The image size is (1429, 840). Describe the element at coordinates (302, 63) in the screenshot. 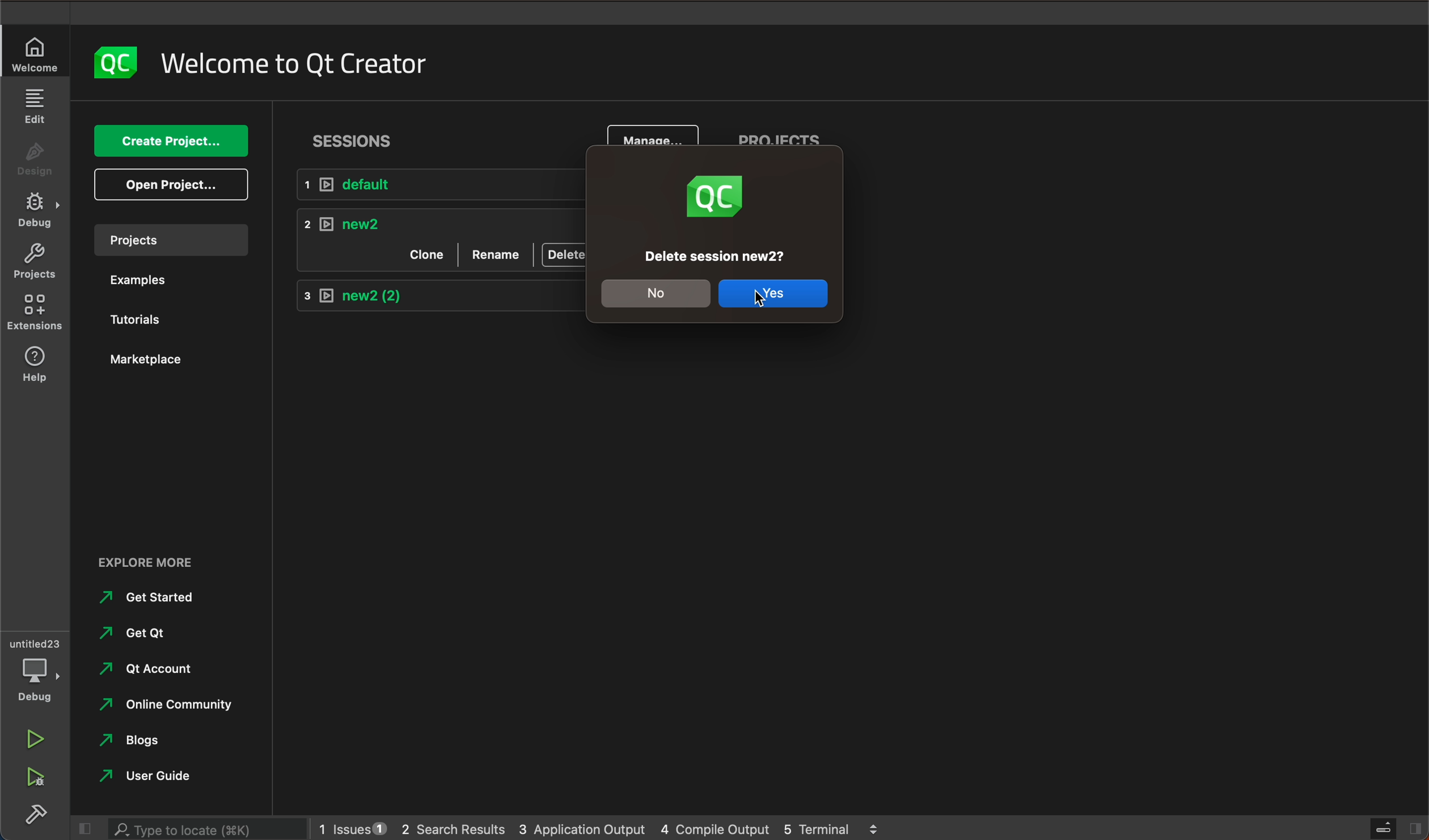

I see `welcome` at that location.